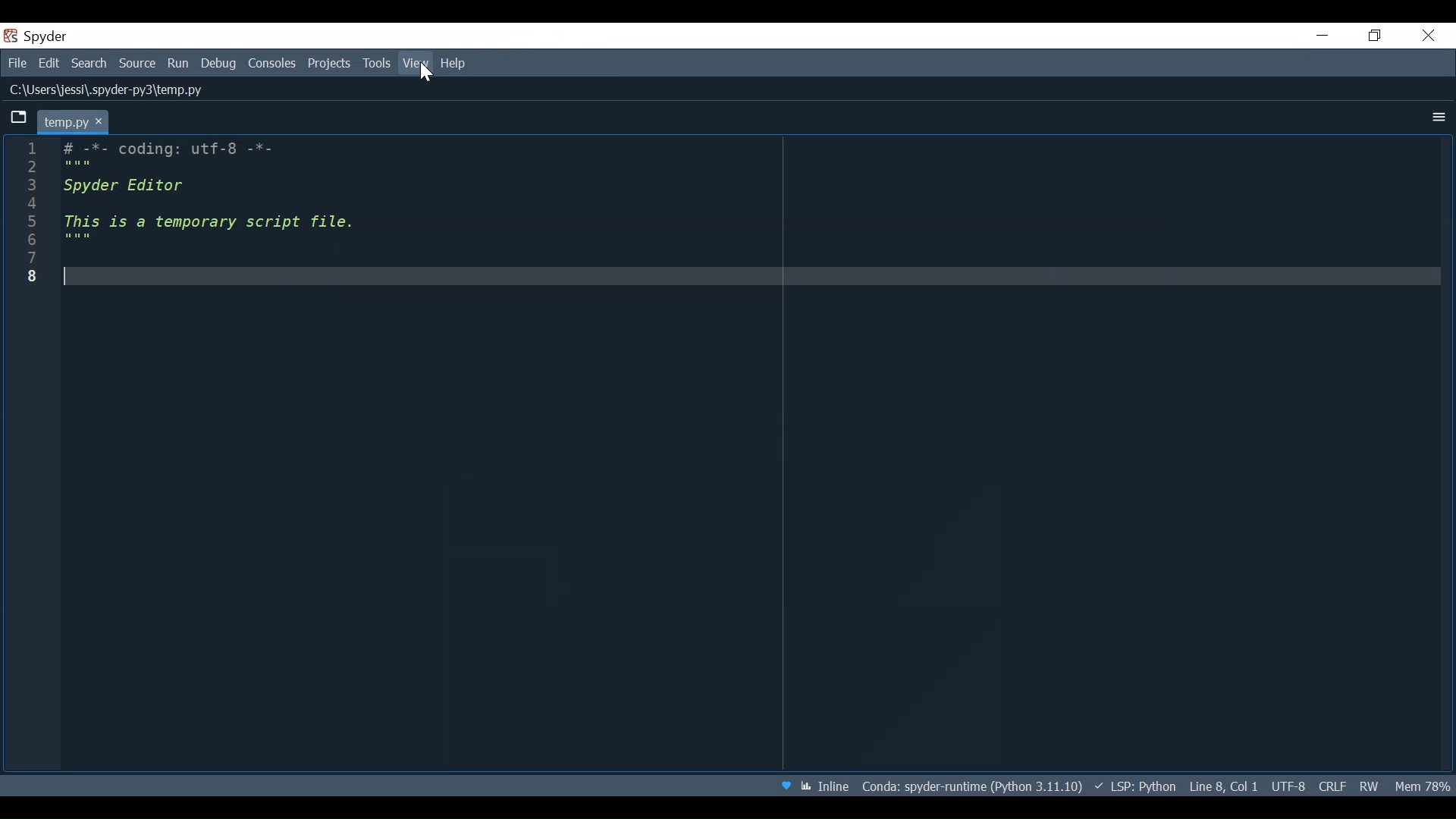 This screenshot has height=819, width=1456. What do you see at coordinates (49, 36) in the screenshot?
I see `Spyder` at bounding box center [49, 36].